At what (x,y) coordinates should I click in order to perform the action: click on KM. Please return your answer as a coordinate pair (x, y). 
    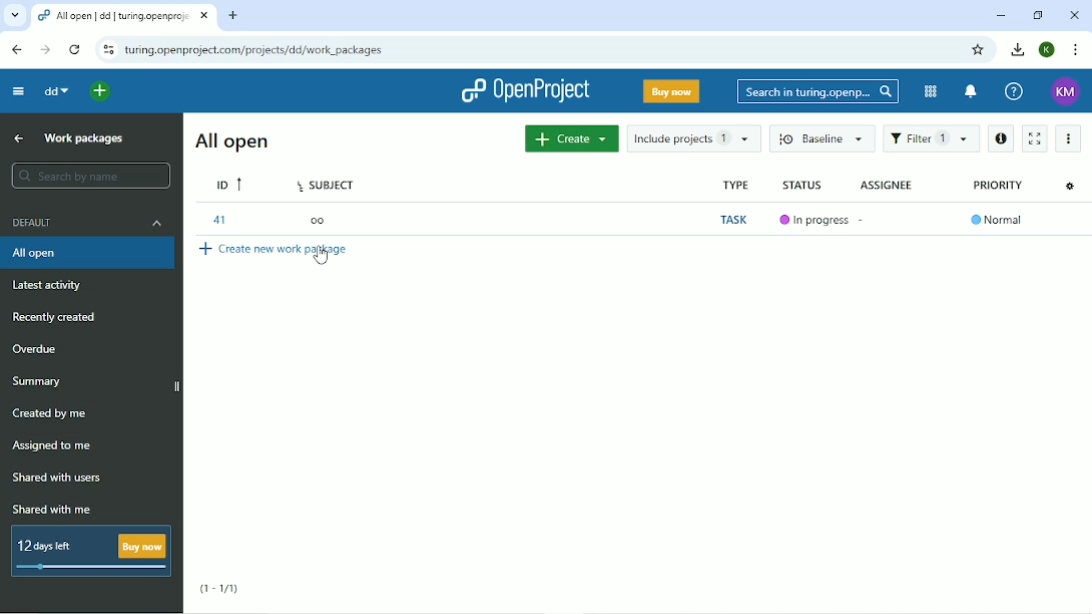
    Looking at the image, I should click on (1064, 91).